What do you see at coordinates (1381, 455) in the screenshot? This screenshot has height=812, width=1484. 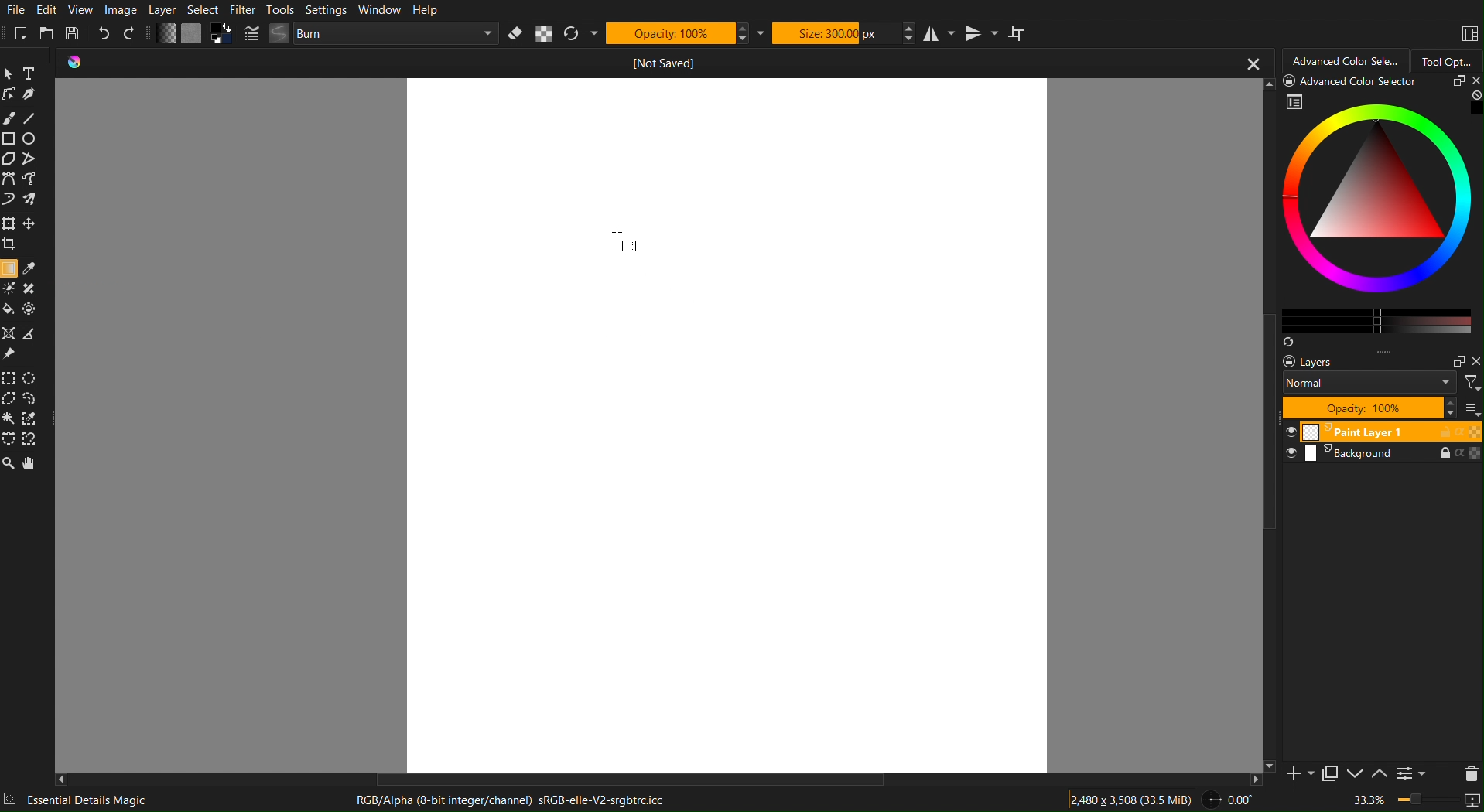 I see `Background` at bounding box center [1381, 455].